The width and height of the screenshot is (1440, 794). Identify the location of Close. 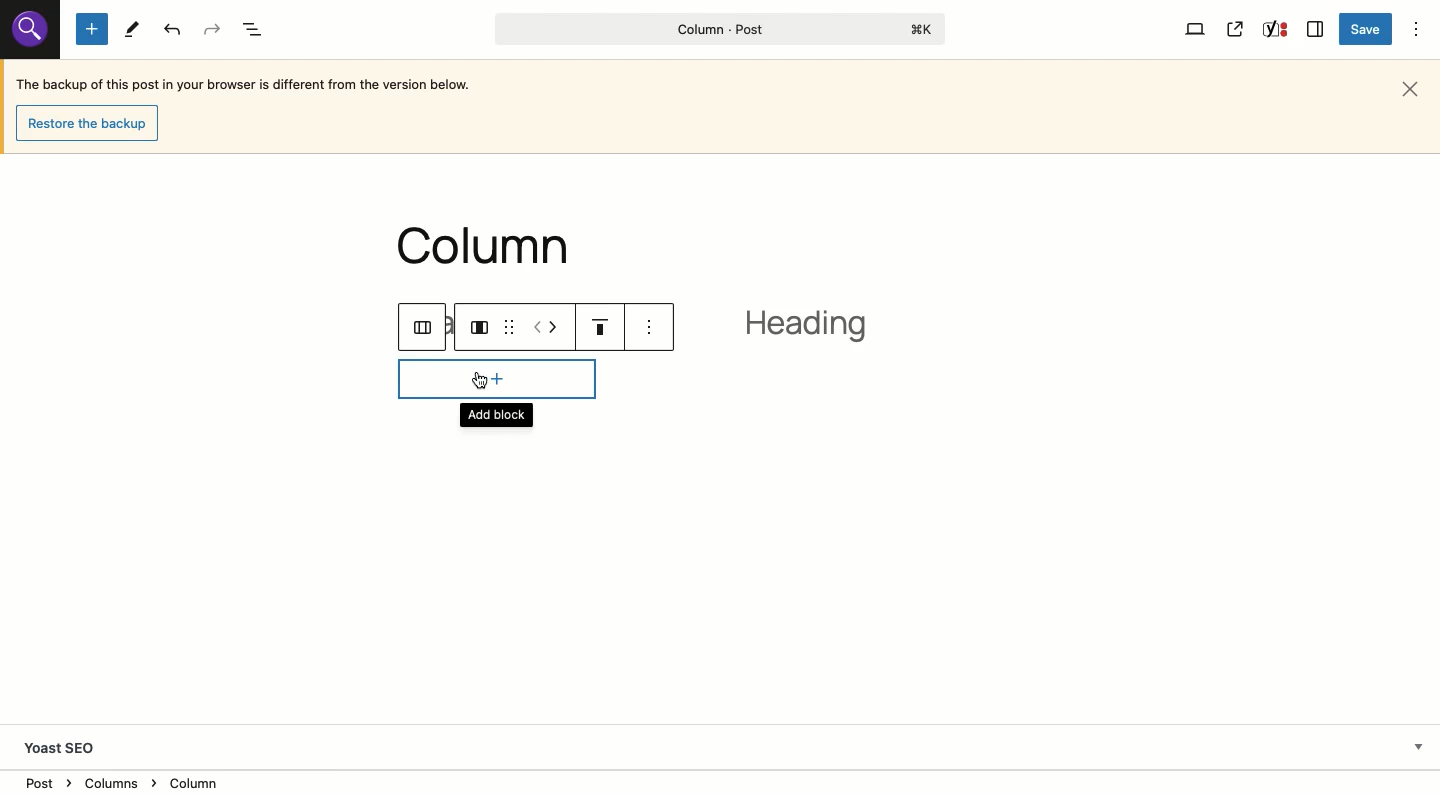
(1414, 87).